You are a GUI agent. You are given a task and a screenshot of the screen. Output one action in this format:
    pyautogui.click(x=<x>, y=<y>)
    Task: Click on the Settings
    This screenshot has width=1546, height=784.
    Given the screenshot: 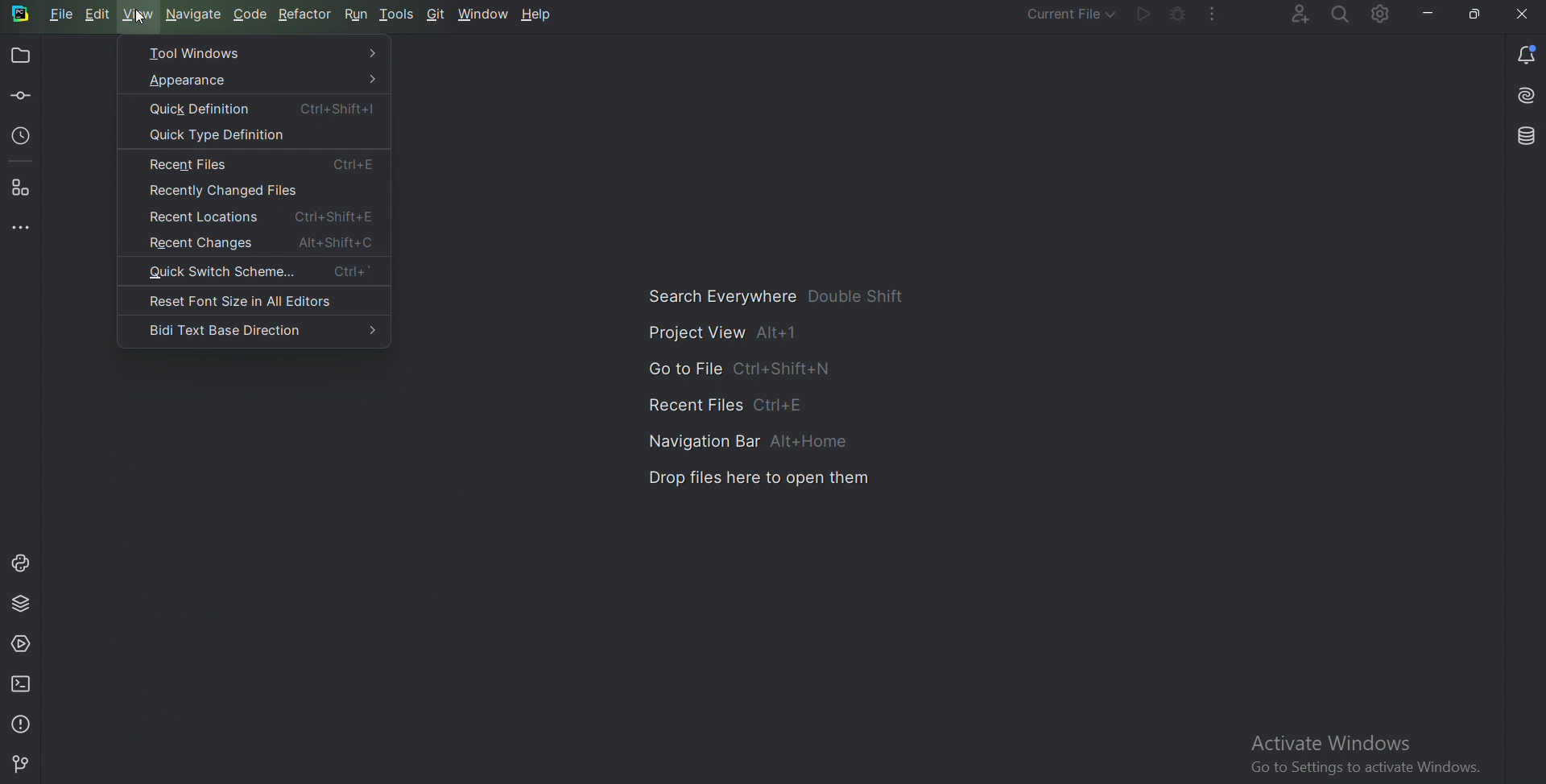 What is the action you would take?
    pyautogui.click(x=1379, y=14)
    